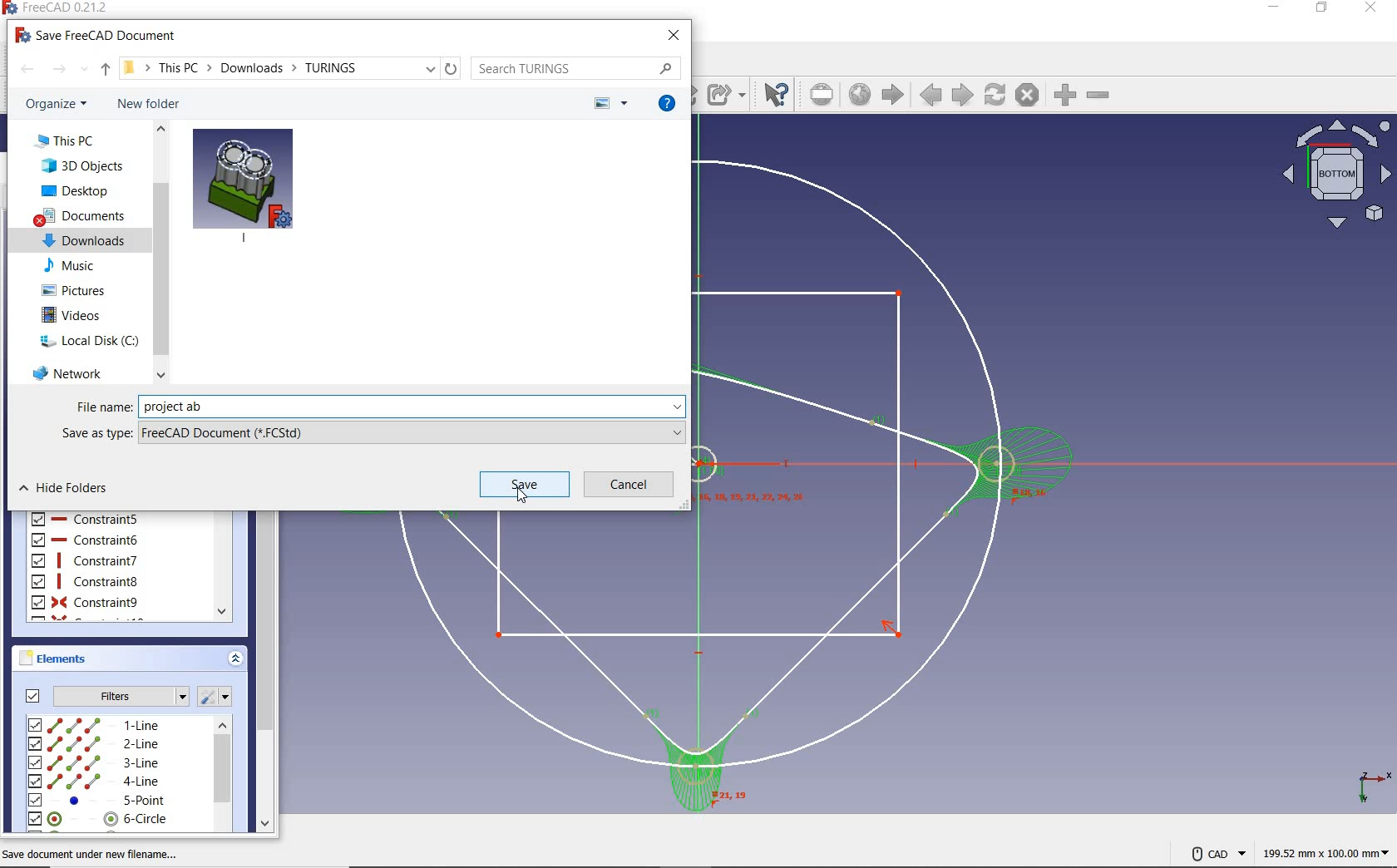  Describe the element at coordinates (81, 165) in the screenshot. I see `3D Objects` at that location.